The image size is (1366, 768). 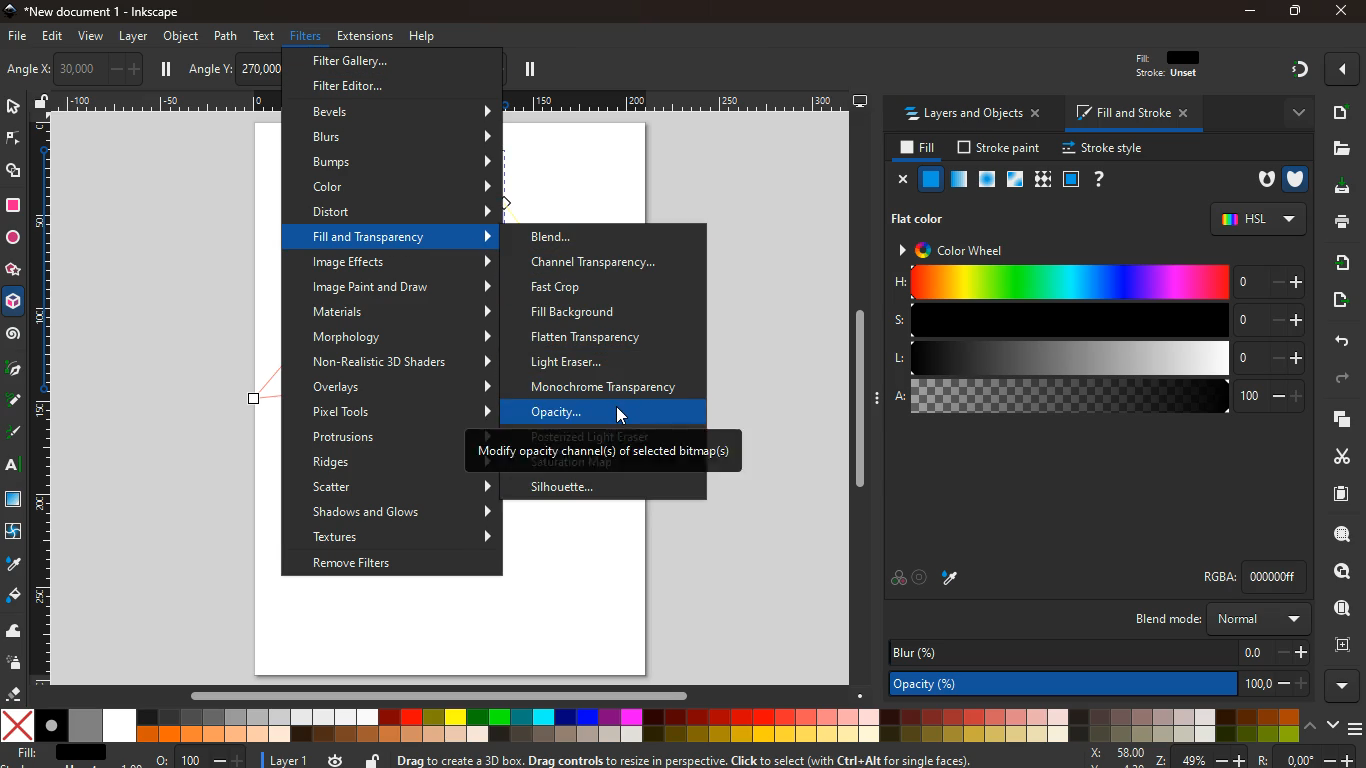 What do you see at coordinates (108, 12) in the screenshot?
I see `inkscape` at bounding box center [108, 12].